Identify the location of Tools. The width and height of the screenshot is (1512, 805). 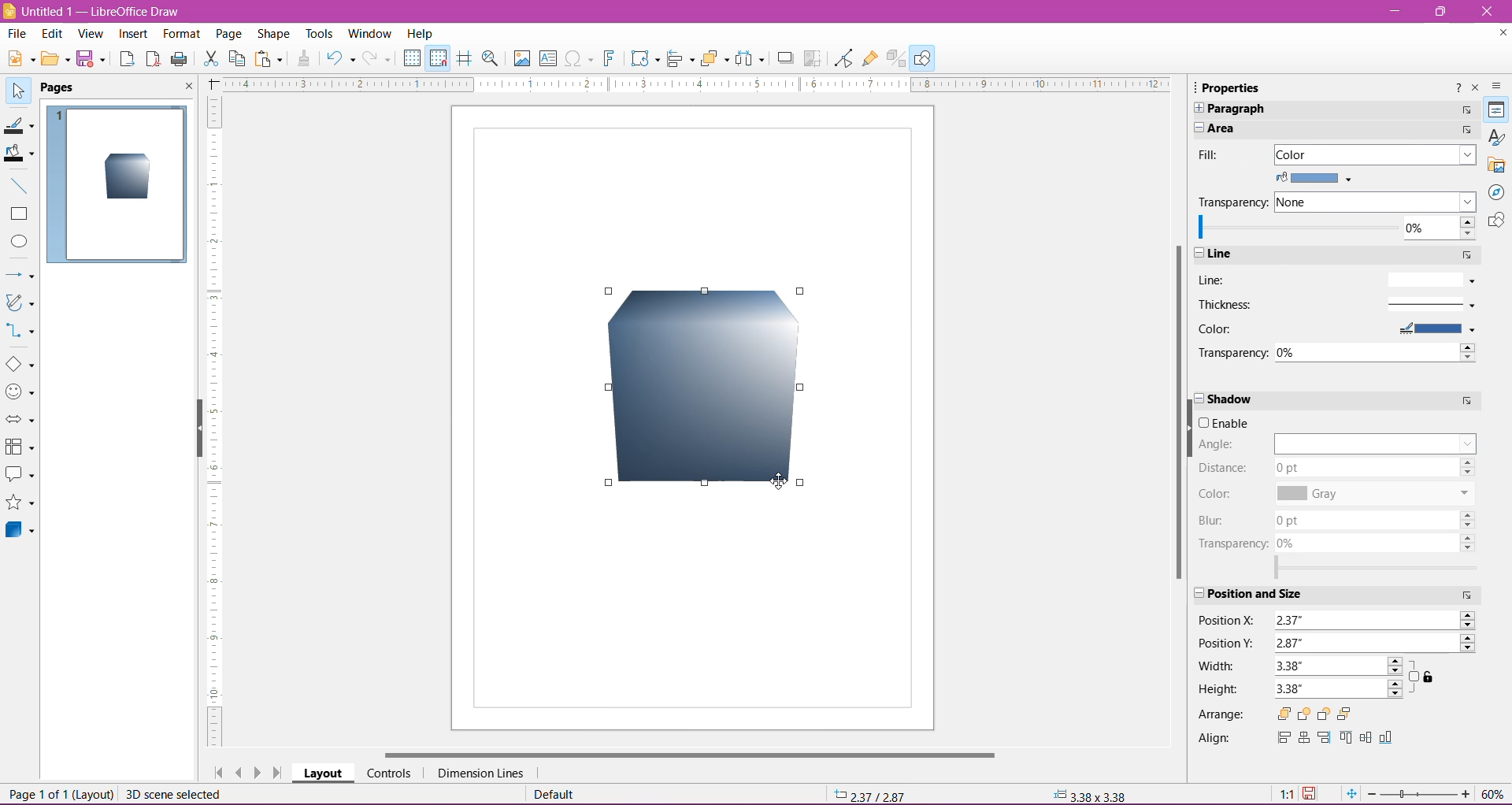
(321, 34).